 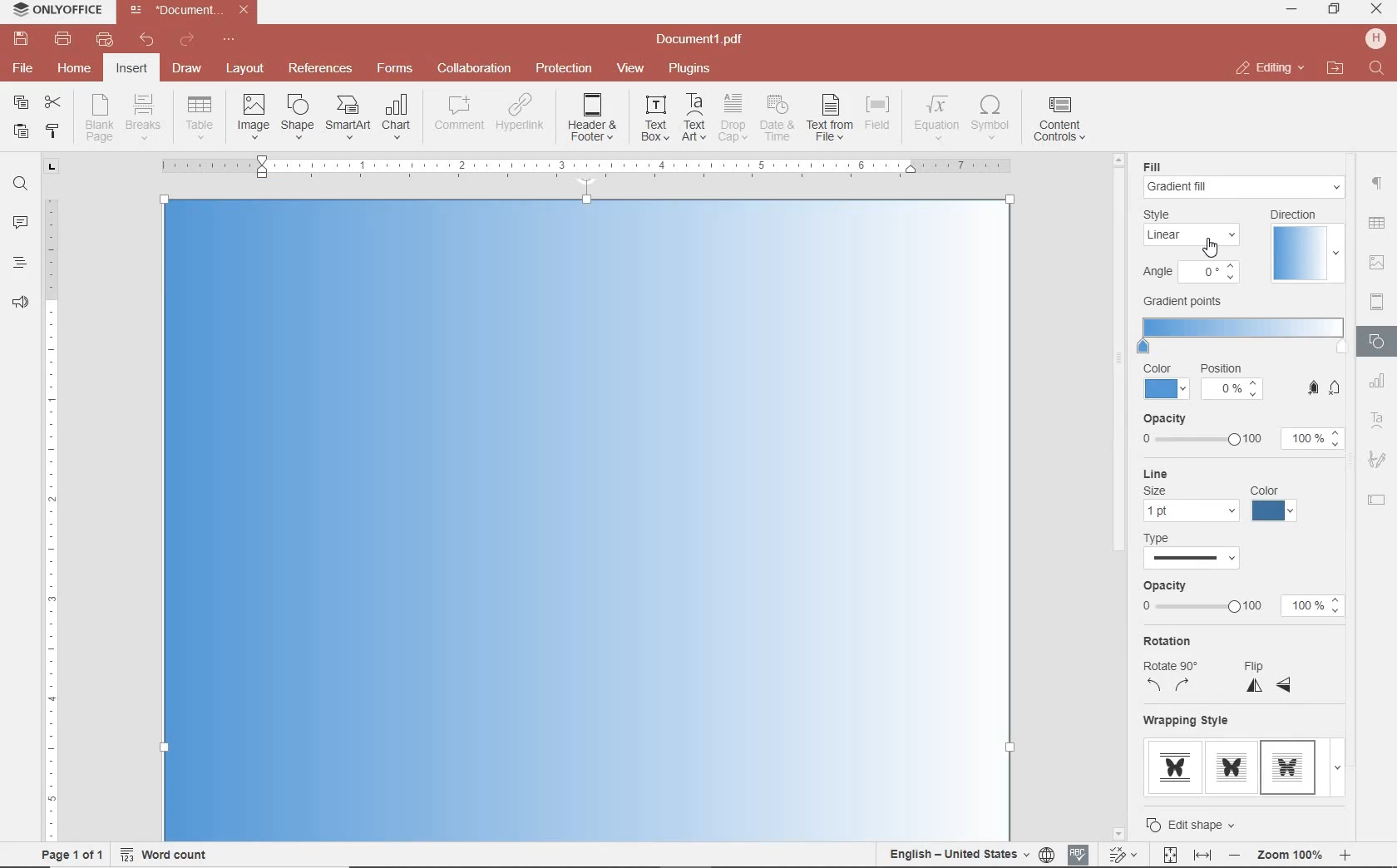 What do you see at coordinates (254, 116) in the screenshot?
I see `INSERT IMAGES` at bounding box center [254, 116].